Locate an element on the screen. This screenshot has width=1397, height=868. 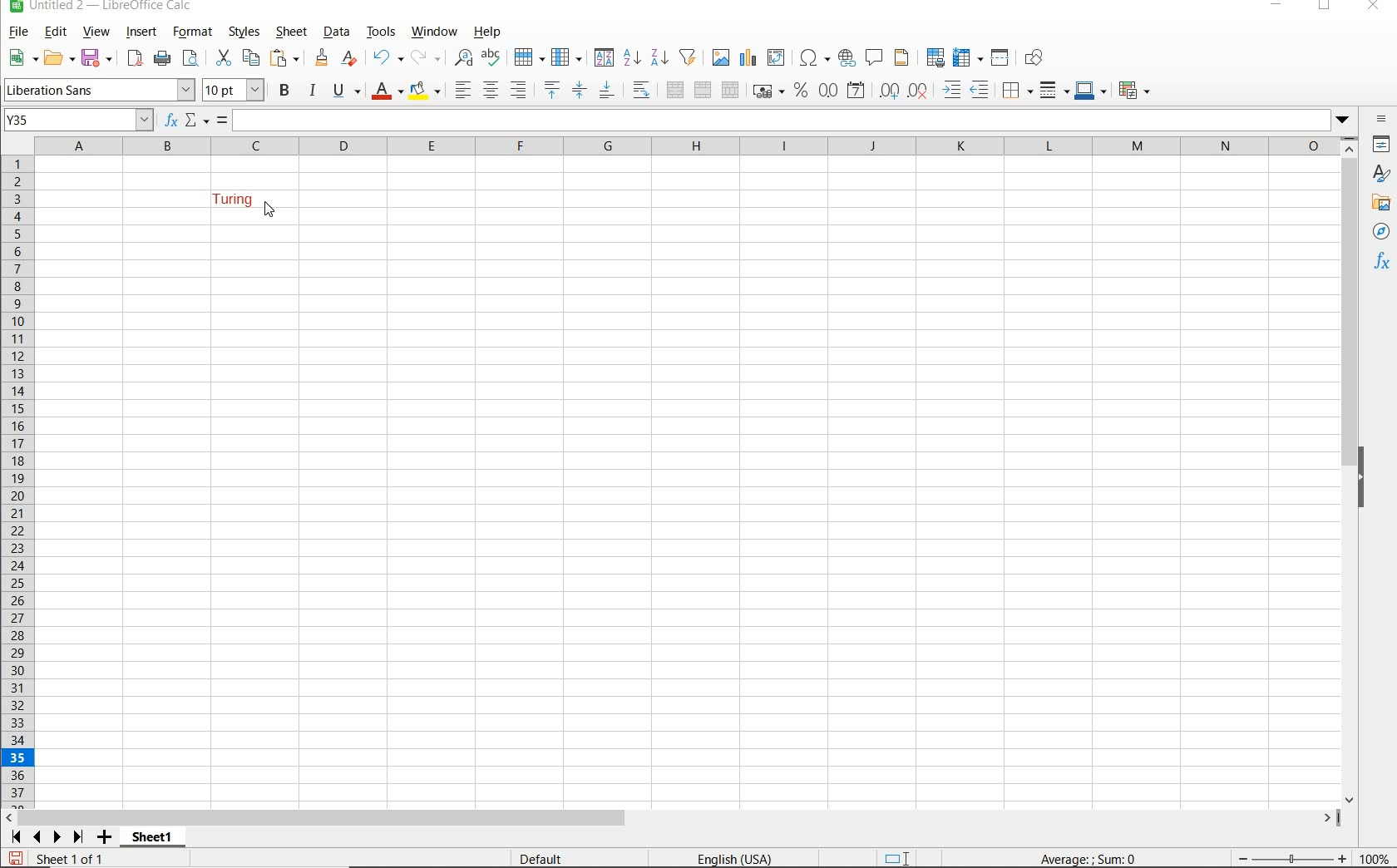
HELP is located at coordinates (487, 34).